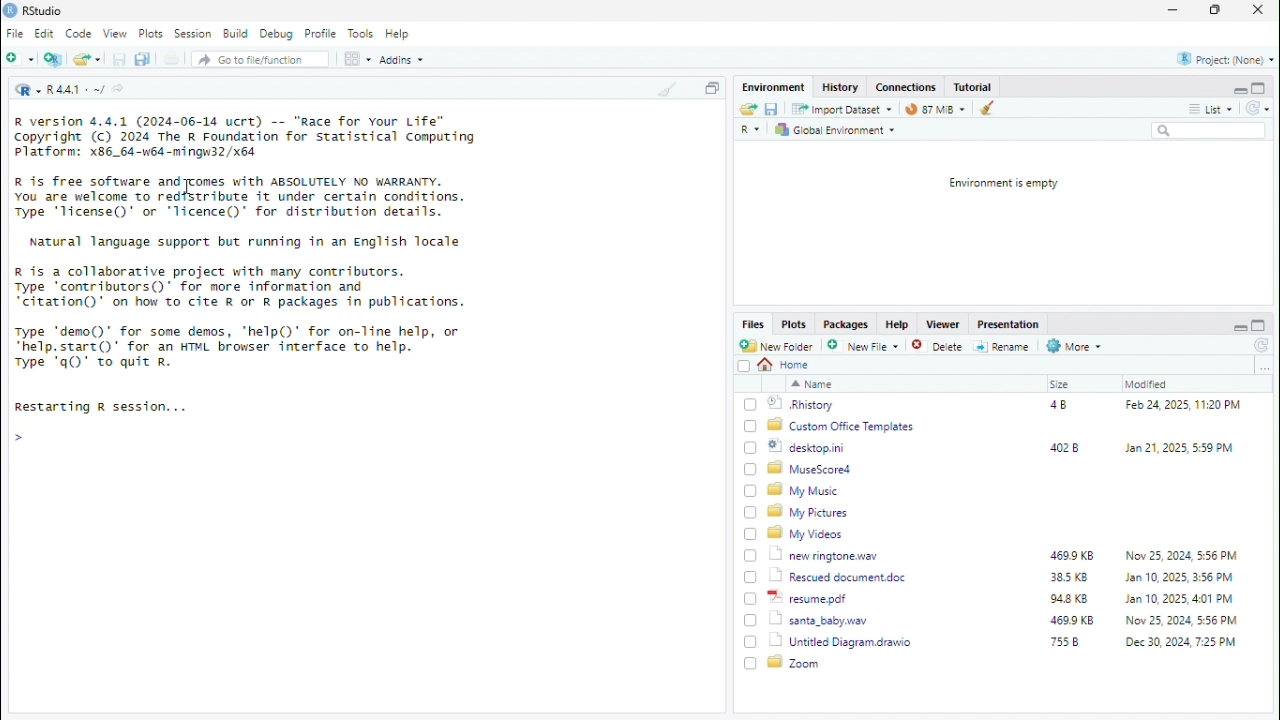  Describe the element at coordinates (865, 346) in the screenshot. I see `New File` at that location.